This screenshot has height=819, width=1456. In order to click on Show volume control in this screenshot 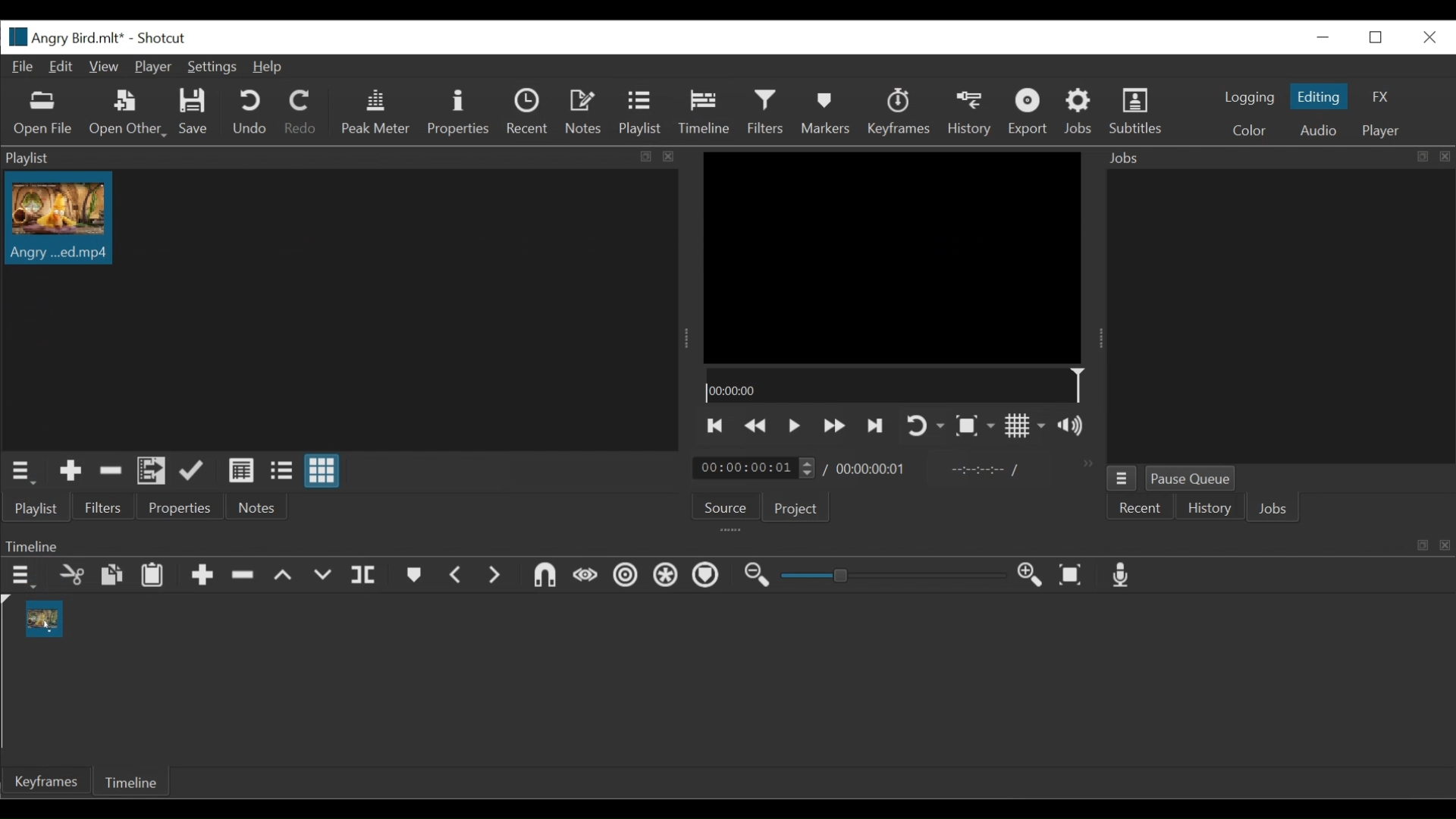, I will do `click(1071, 426)`.